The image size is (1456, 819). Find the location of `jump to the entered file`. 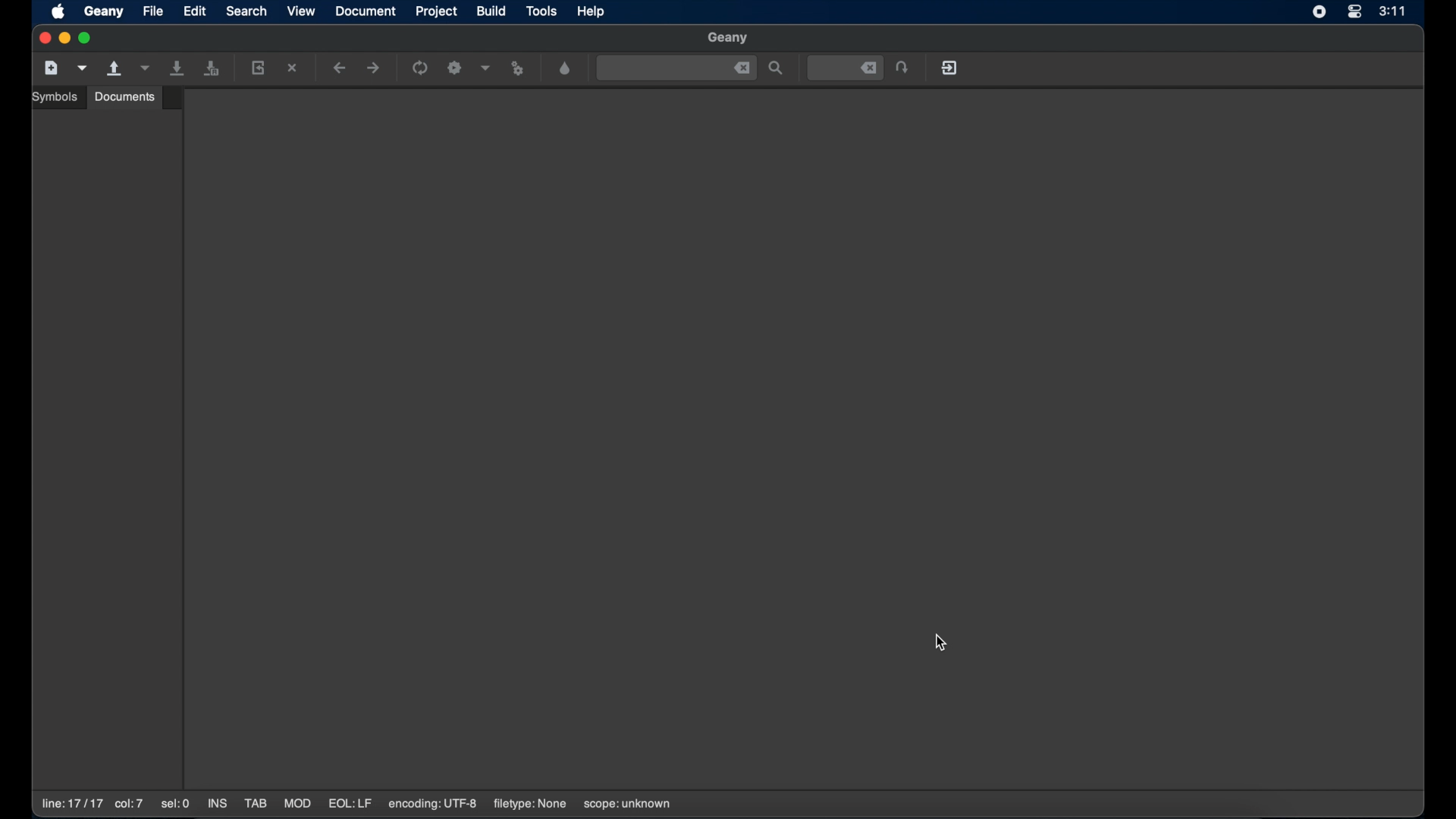

jump to the entered file is located at coordinates (903, 68).